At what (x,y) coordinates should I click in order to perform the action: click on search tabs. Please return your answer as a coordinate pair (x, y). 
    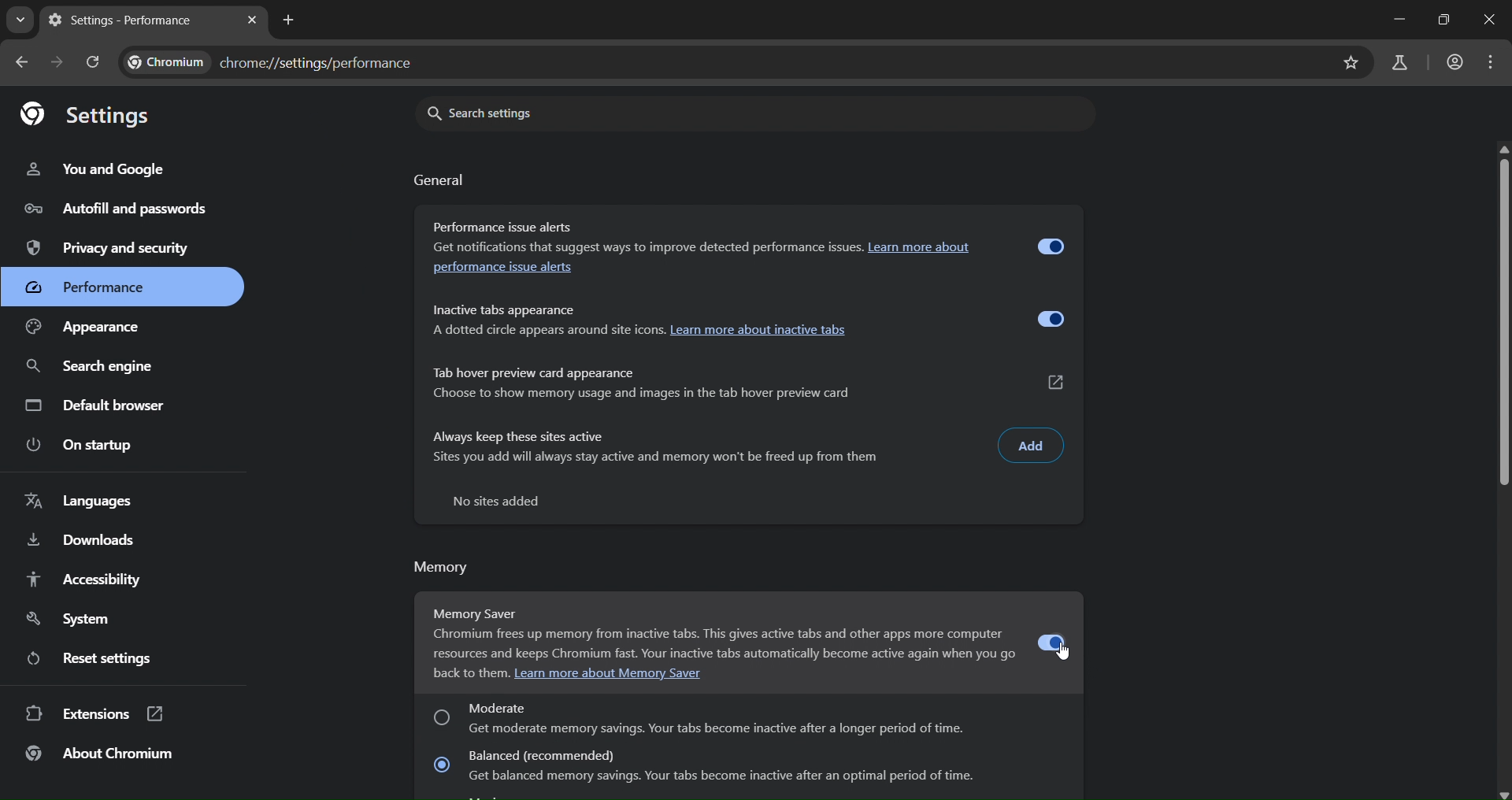
    Looking at the image, I should click on (21, 20).